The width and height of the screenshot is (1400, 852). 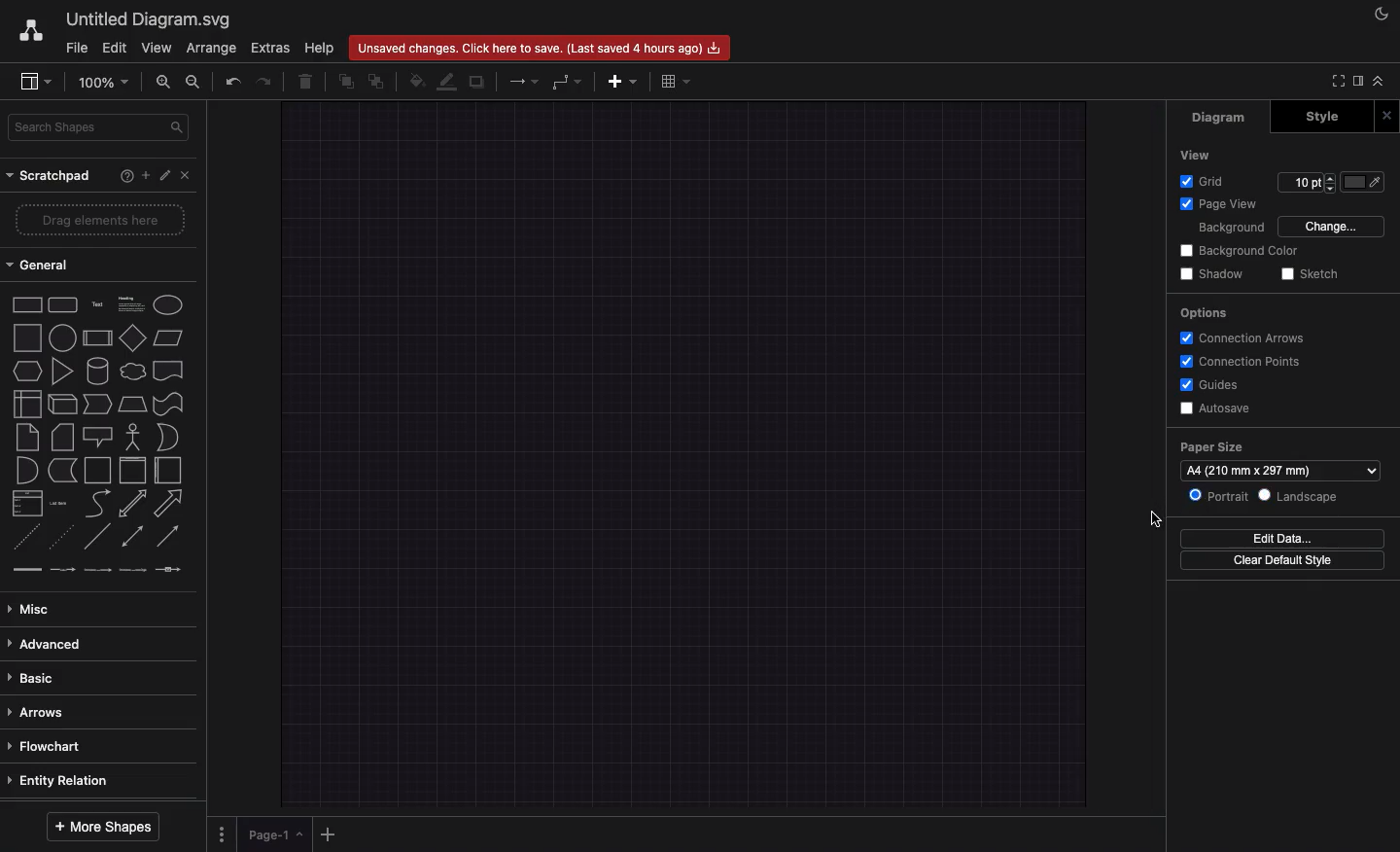 I want to click on Untitled diagrams, so click(x=146, y=22).